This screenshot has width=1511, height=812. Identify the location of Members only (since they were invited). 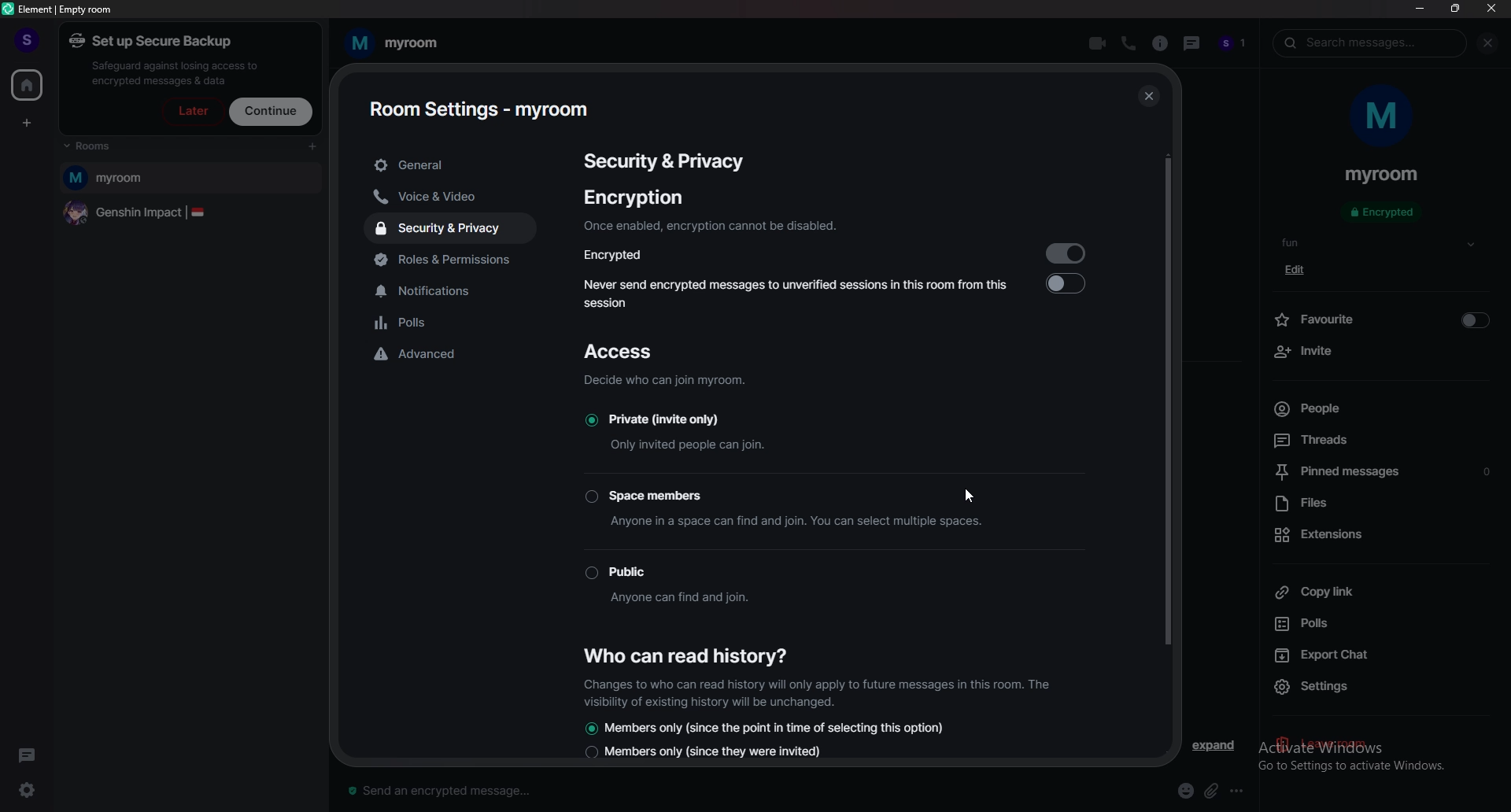
(706, 754).